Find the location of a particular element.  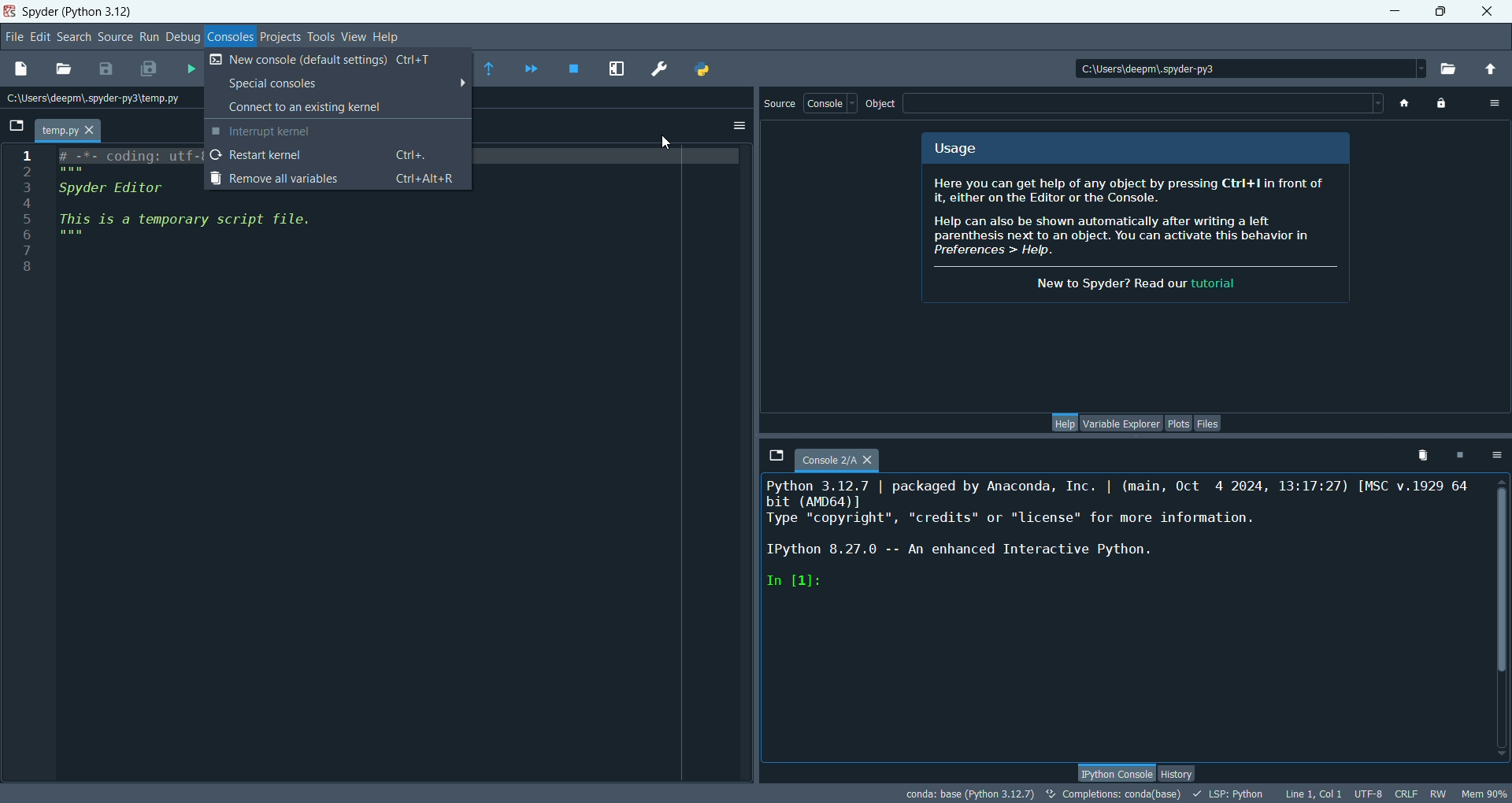

cursor is located at coordinates (667, 142).